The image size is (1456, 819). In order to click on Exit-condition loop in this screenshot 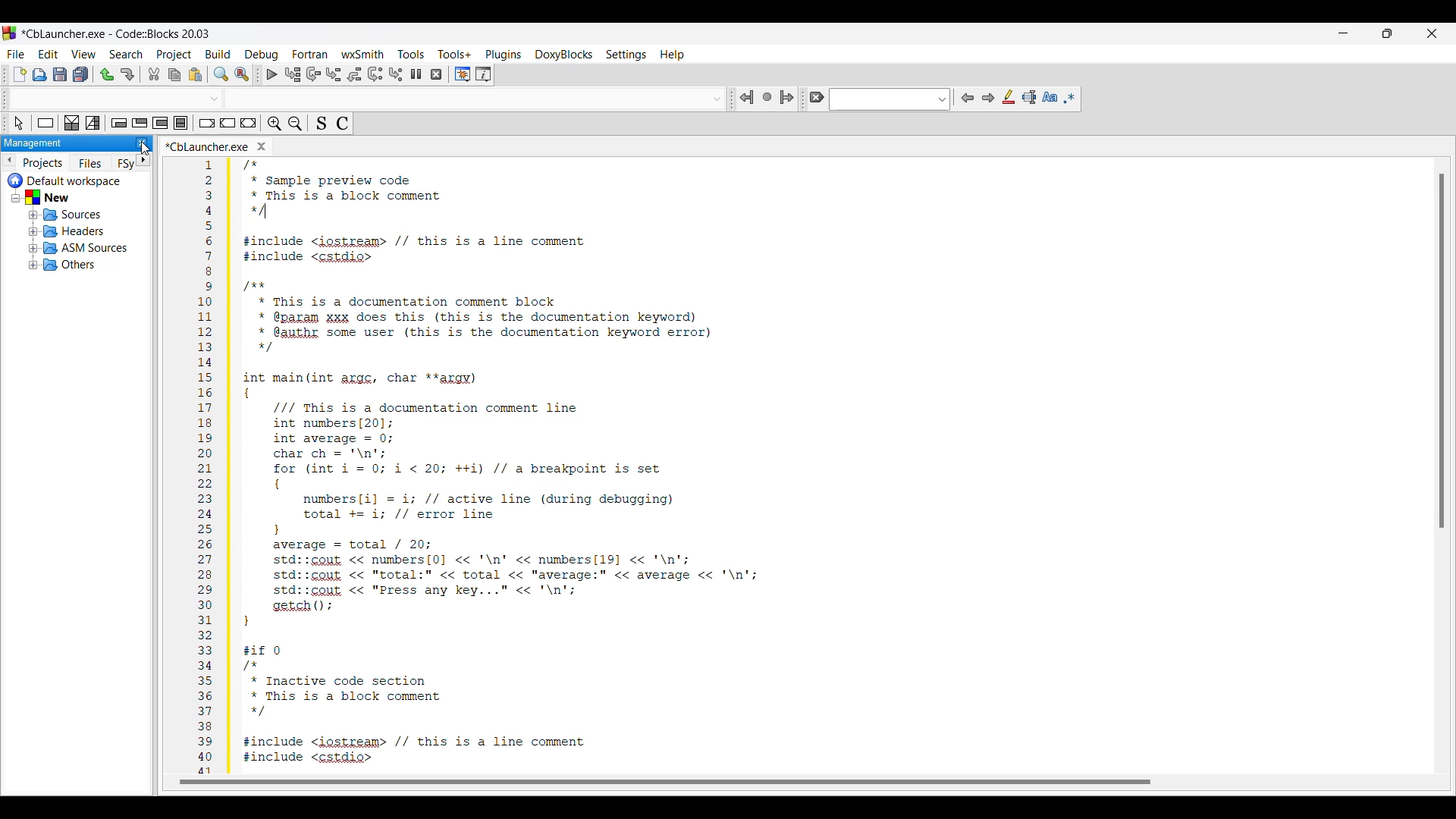, I will do `click(140, 123)`.